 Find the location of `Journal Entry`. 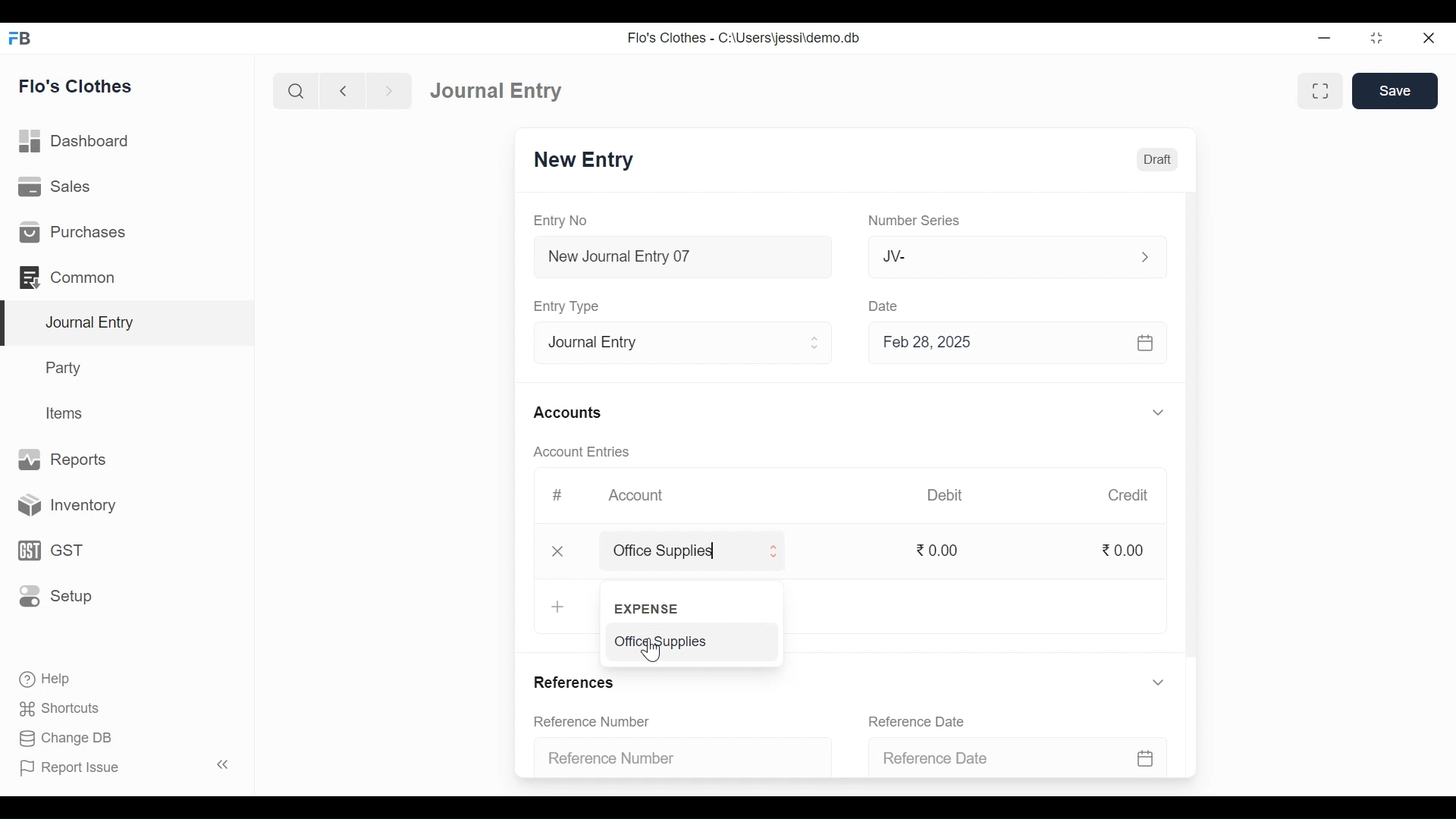

Journal Entry is located at coordinates (130, 324).